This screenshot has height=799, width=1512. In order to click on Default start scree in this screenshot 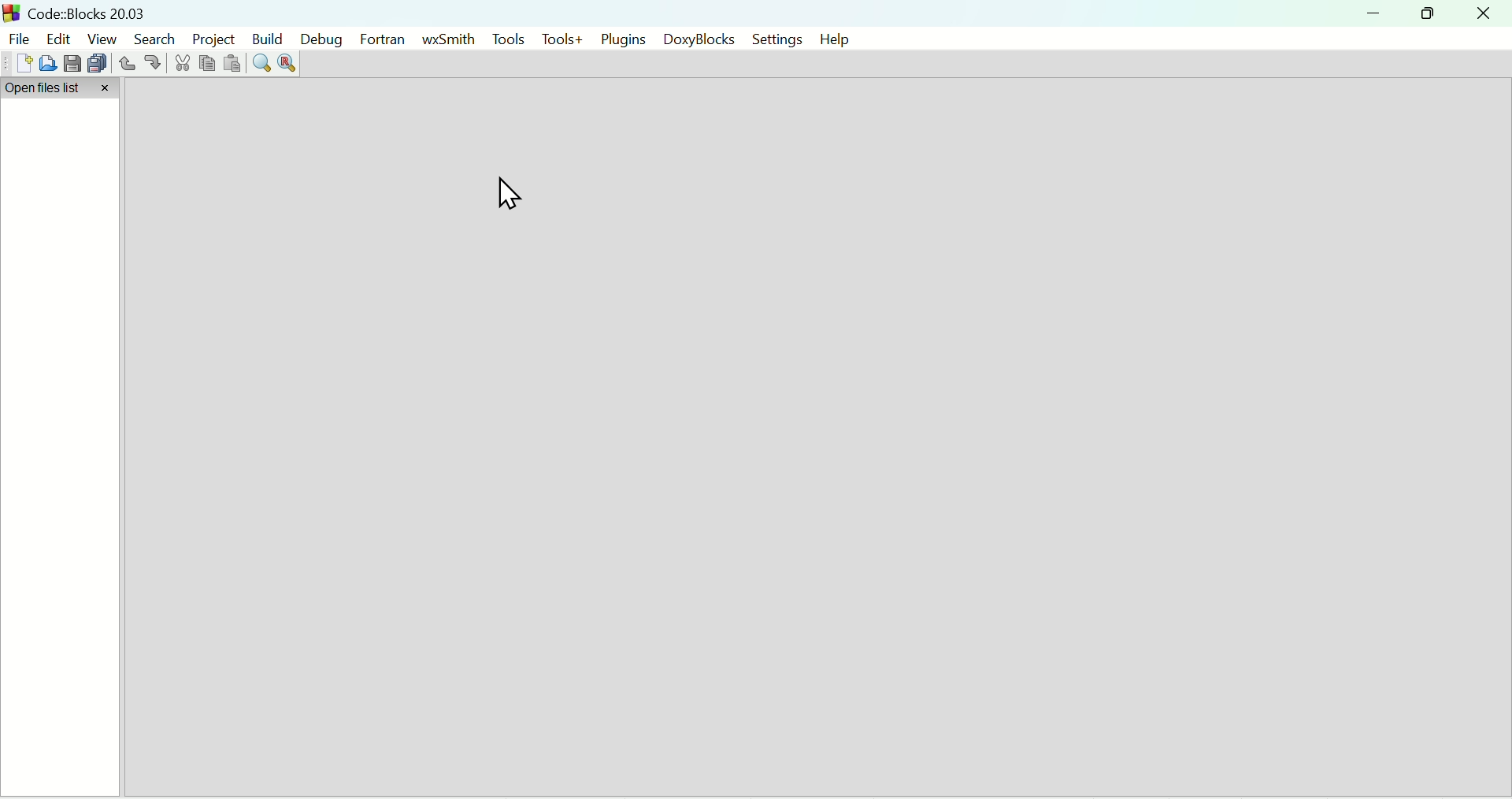, I will do `click(813, 437)`.